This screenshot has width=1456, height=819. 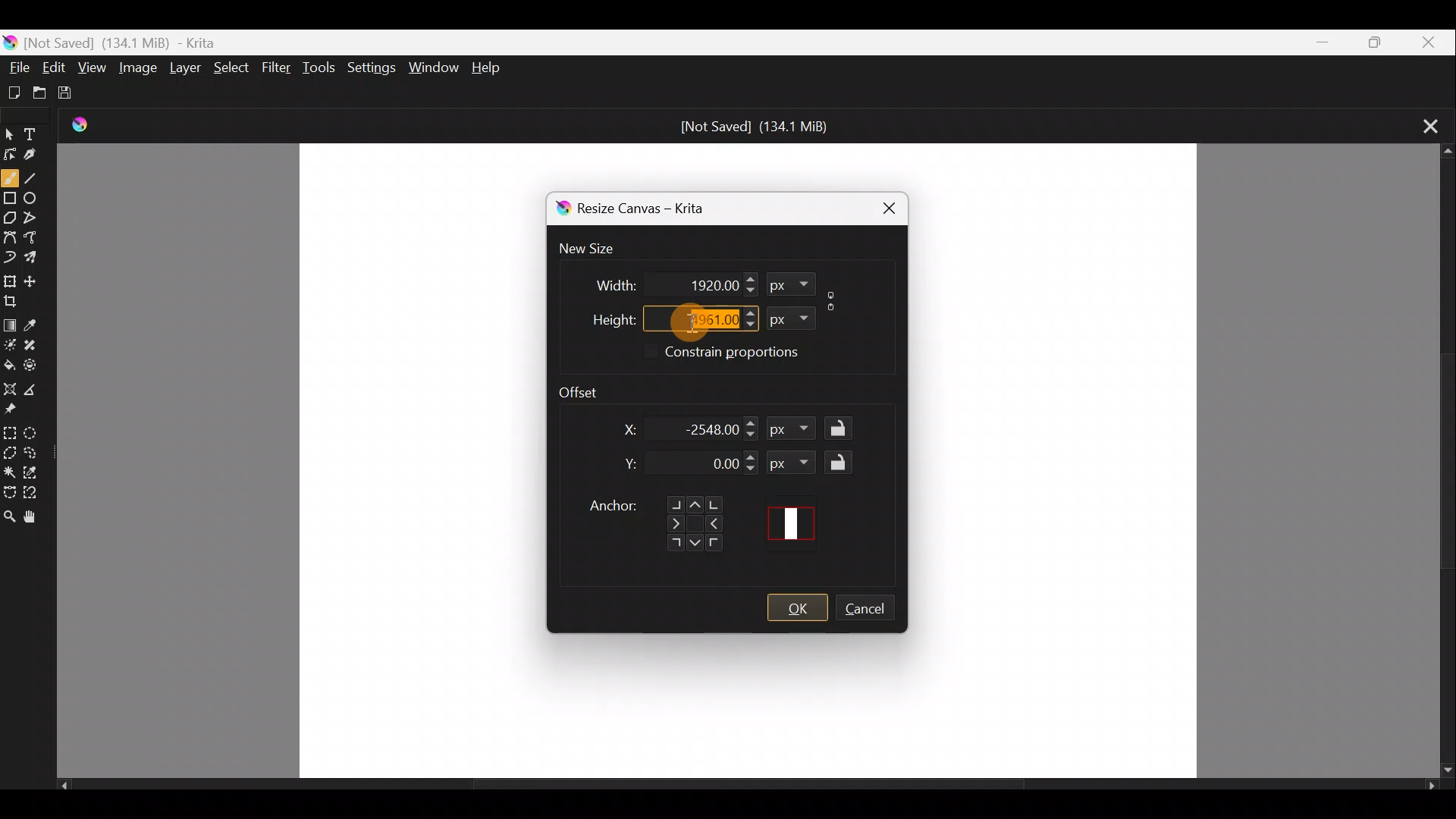 What do you see at coordinates (1428, 42) in the screenshot?
I see `Close` at bounding box center [1428, 42].